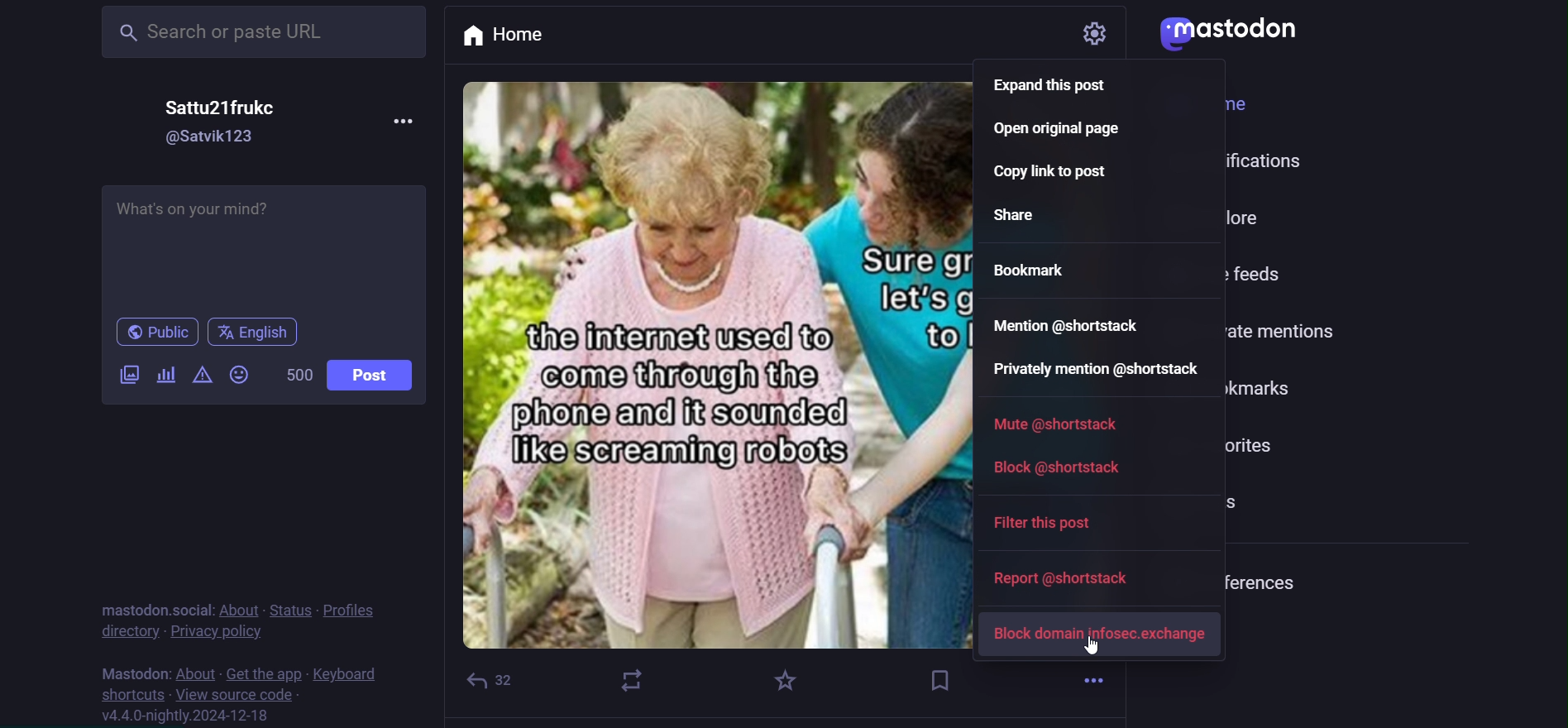 This screenshot has height=728, width=1568. What do you see at coordinates (1054, 135) in the screenshot?
I see `open original page` at bounding box center [1054, 135].